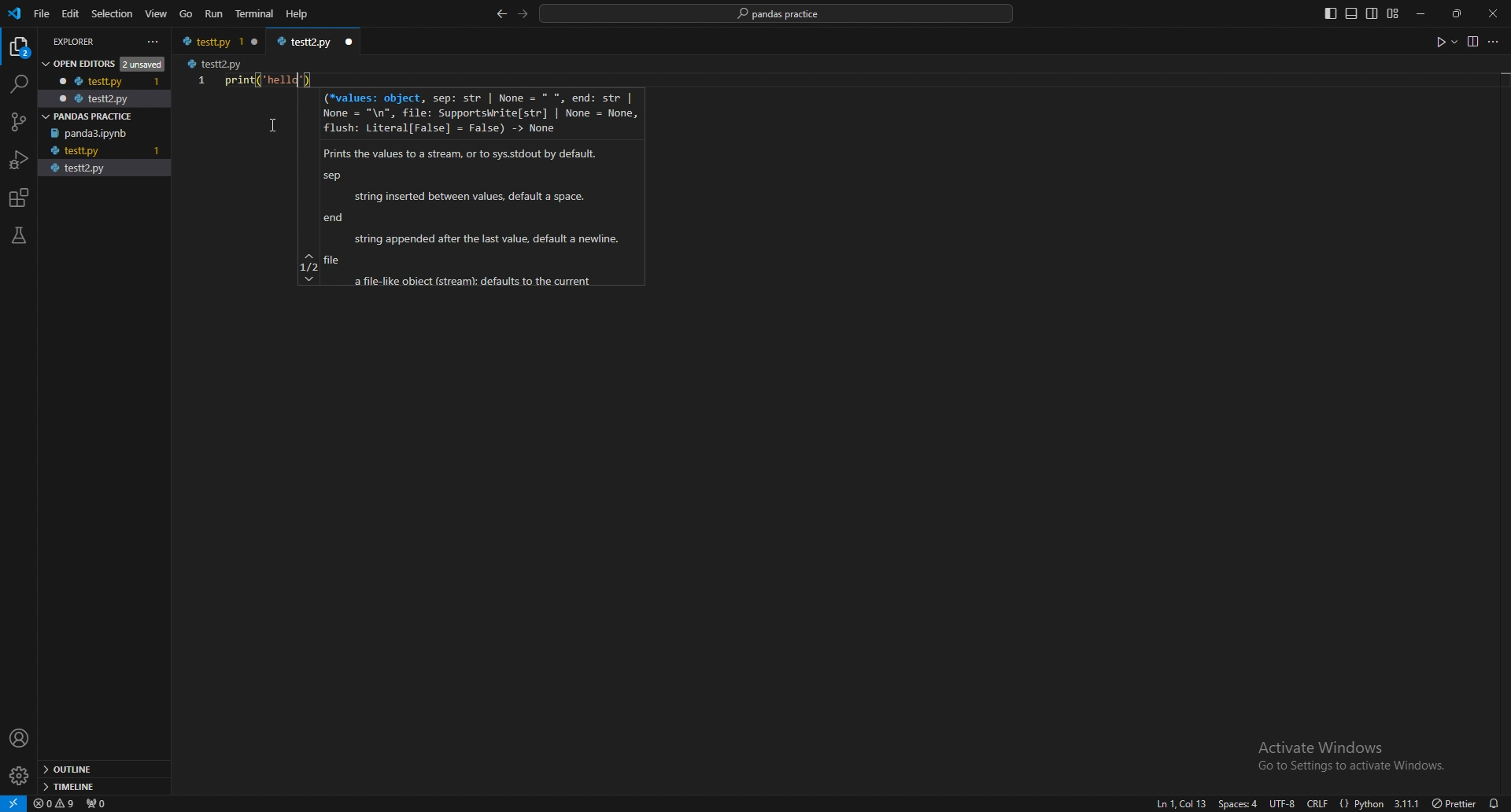 The image size is (1511, 812). Describe the element at coordinates (17, 84) in the screenshot. I see `search` at that location.